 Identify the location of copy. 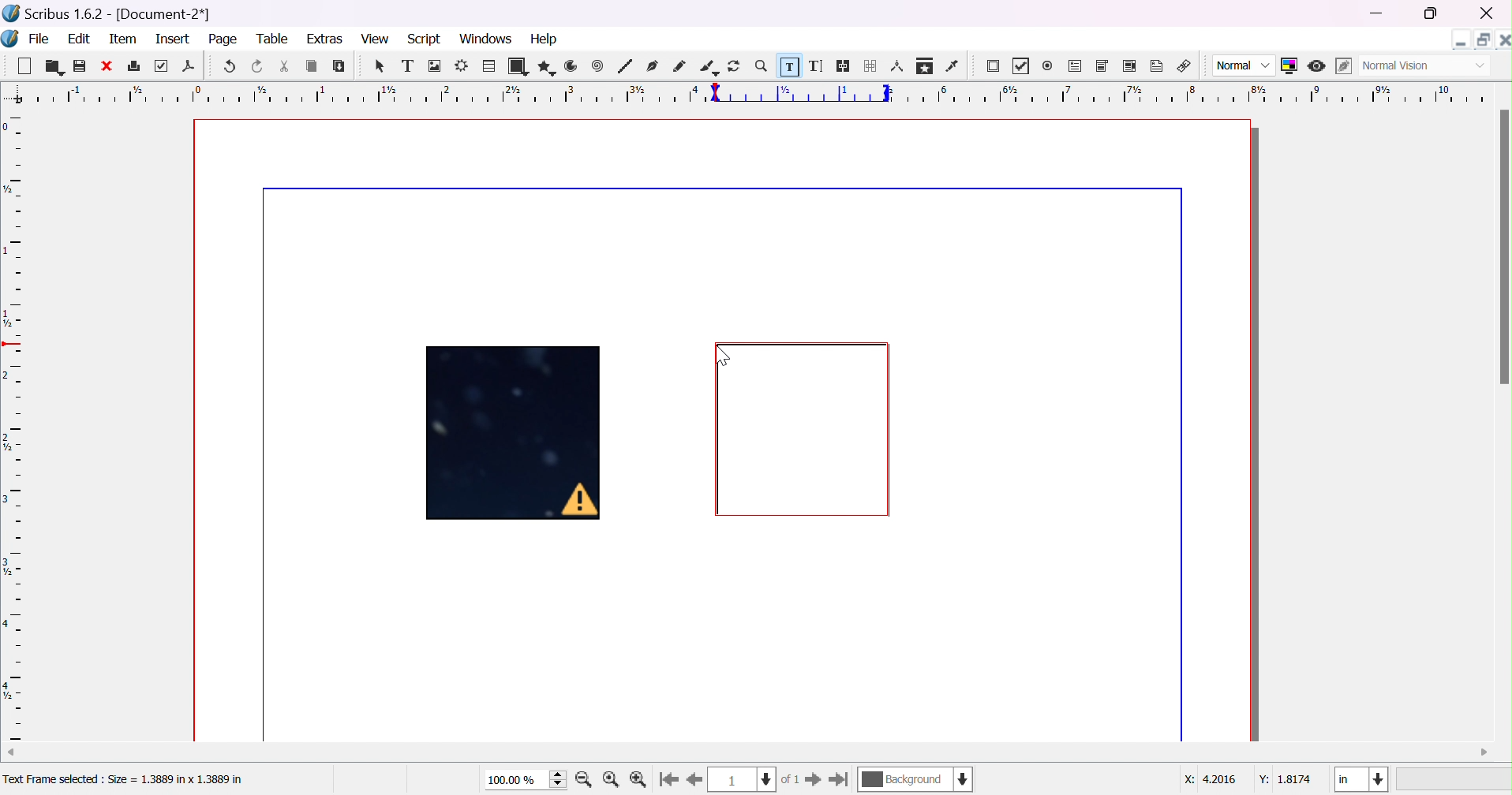
(312, 66).